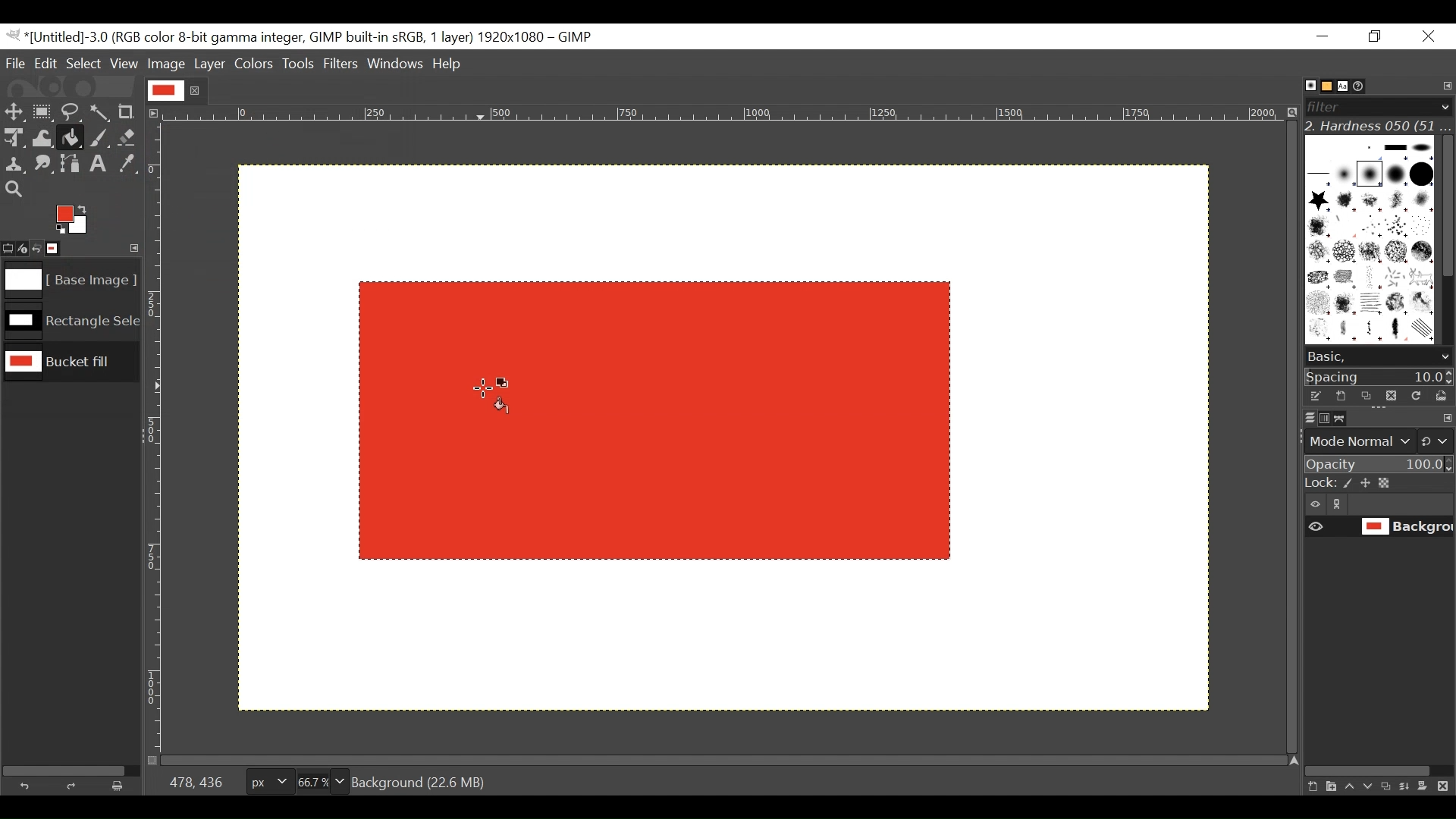 This screenshot has width=1456, height=819. Describe the element at coordinates (13, 137) in the screenshot. I see `Unified Transform Tool` at that location.